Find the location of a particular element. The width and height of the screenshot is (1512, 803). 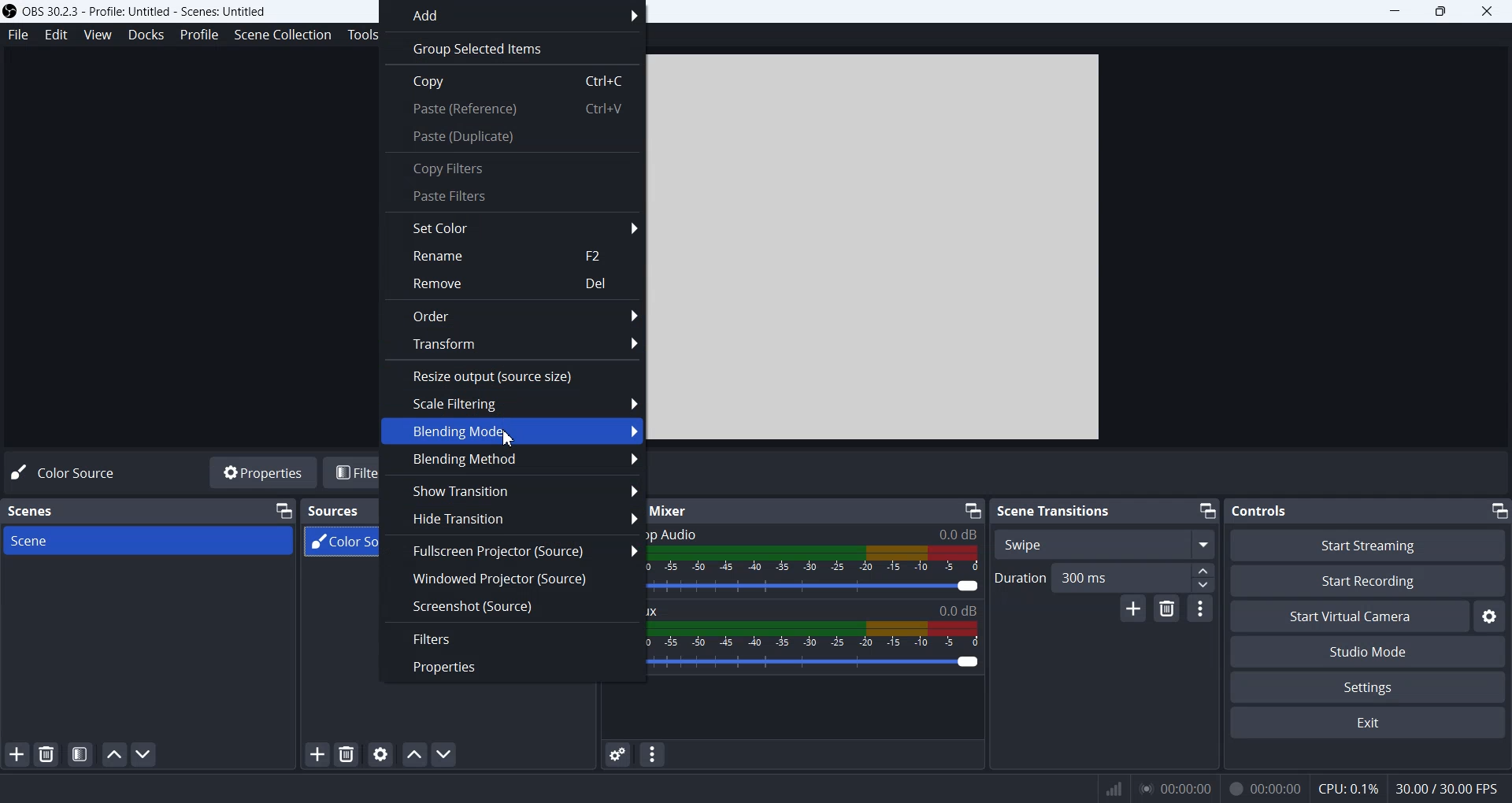

Sound Adjuster is located at coordinates (816, 587).